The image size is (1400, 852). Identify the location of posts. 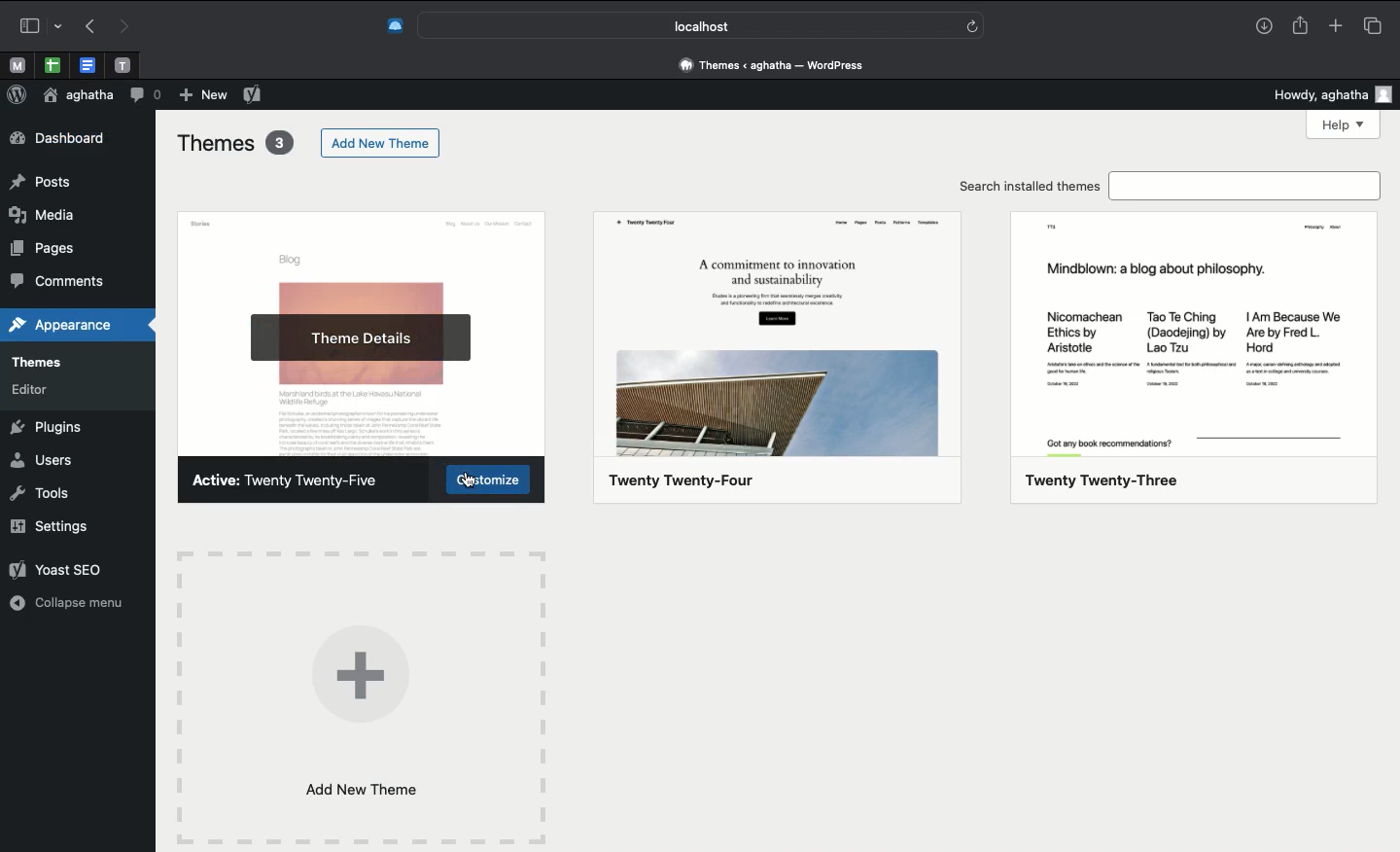
(42, 180).